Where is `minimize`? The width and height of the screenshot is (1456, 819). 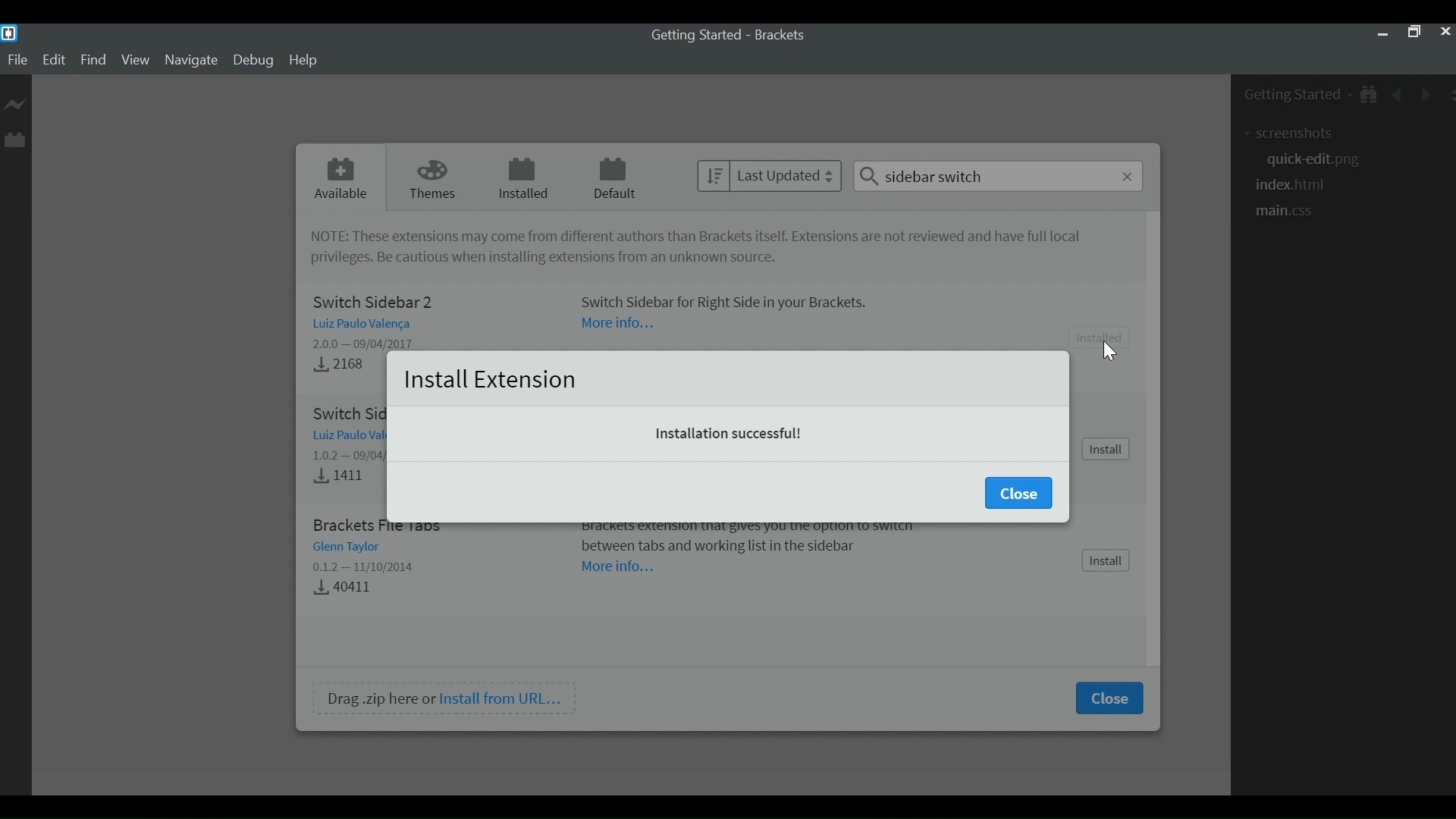 minimize is located at coordinates (1382, 33).